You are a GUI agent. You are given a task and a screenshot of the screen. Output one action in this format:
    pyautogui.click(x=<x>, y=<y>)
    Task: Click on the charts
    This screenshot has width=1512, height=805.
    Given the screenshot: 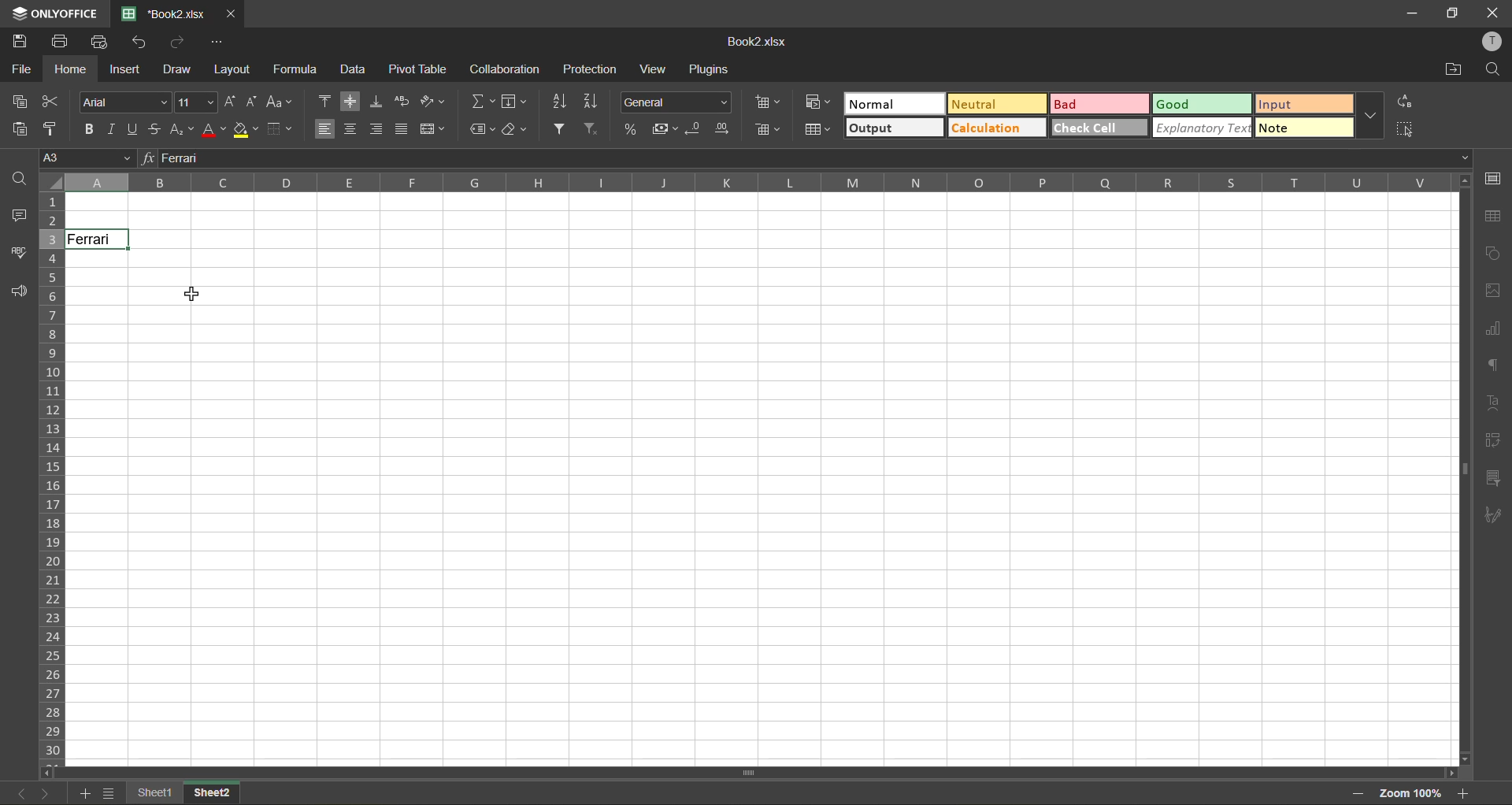 What is the action you would take?
    pyautogui.click(x=1491, y=328)
    